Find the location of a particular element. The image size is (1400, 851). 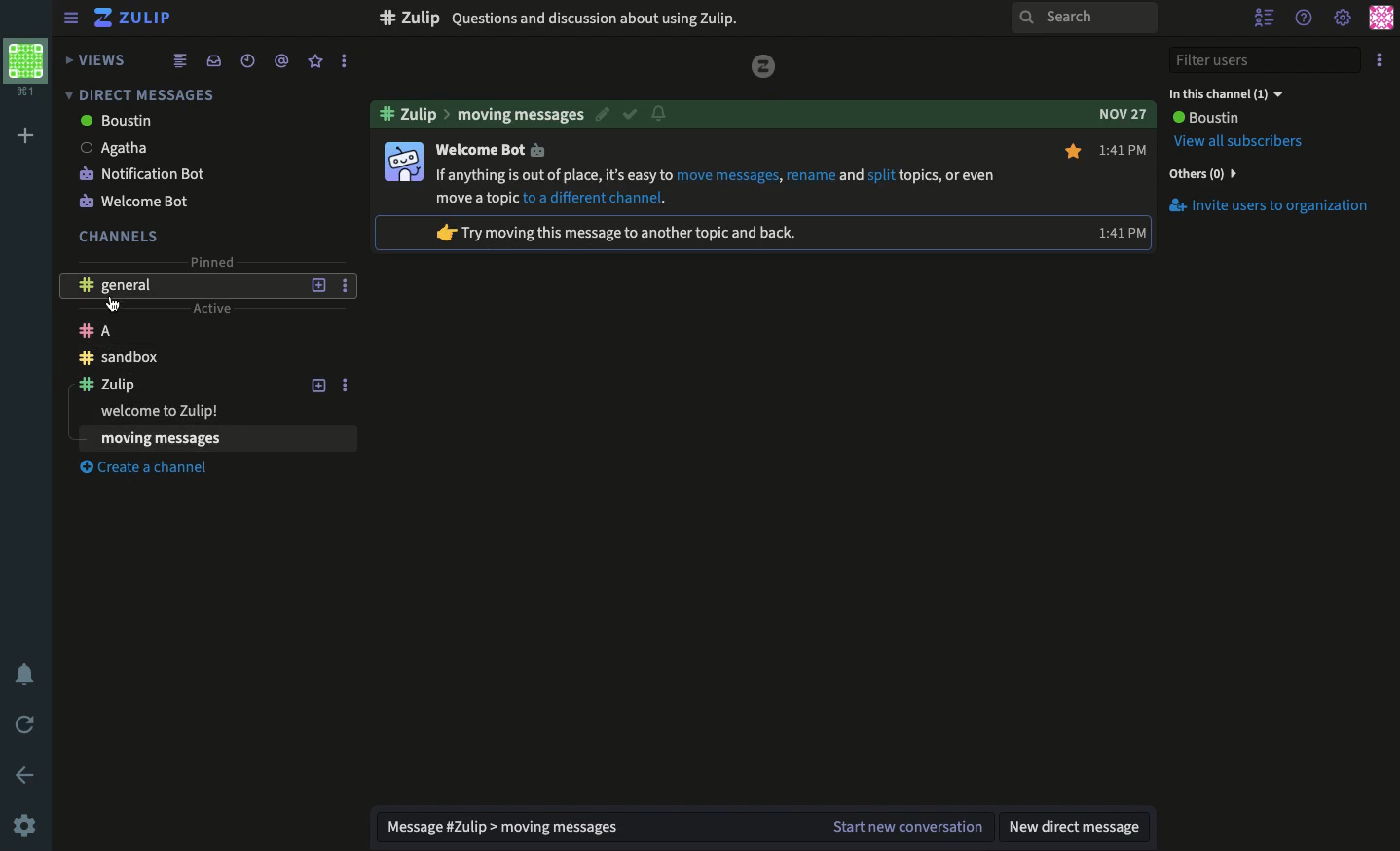

Direct messages is located at coordinates (136, 94).